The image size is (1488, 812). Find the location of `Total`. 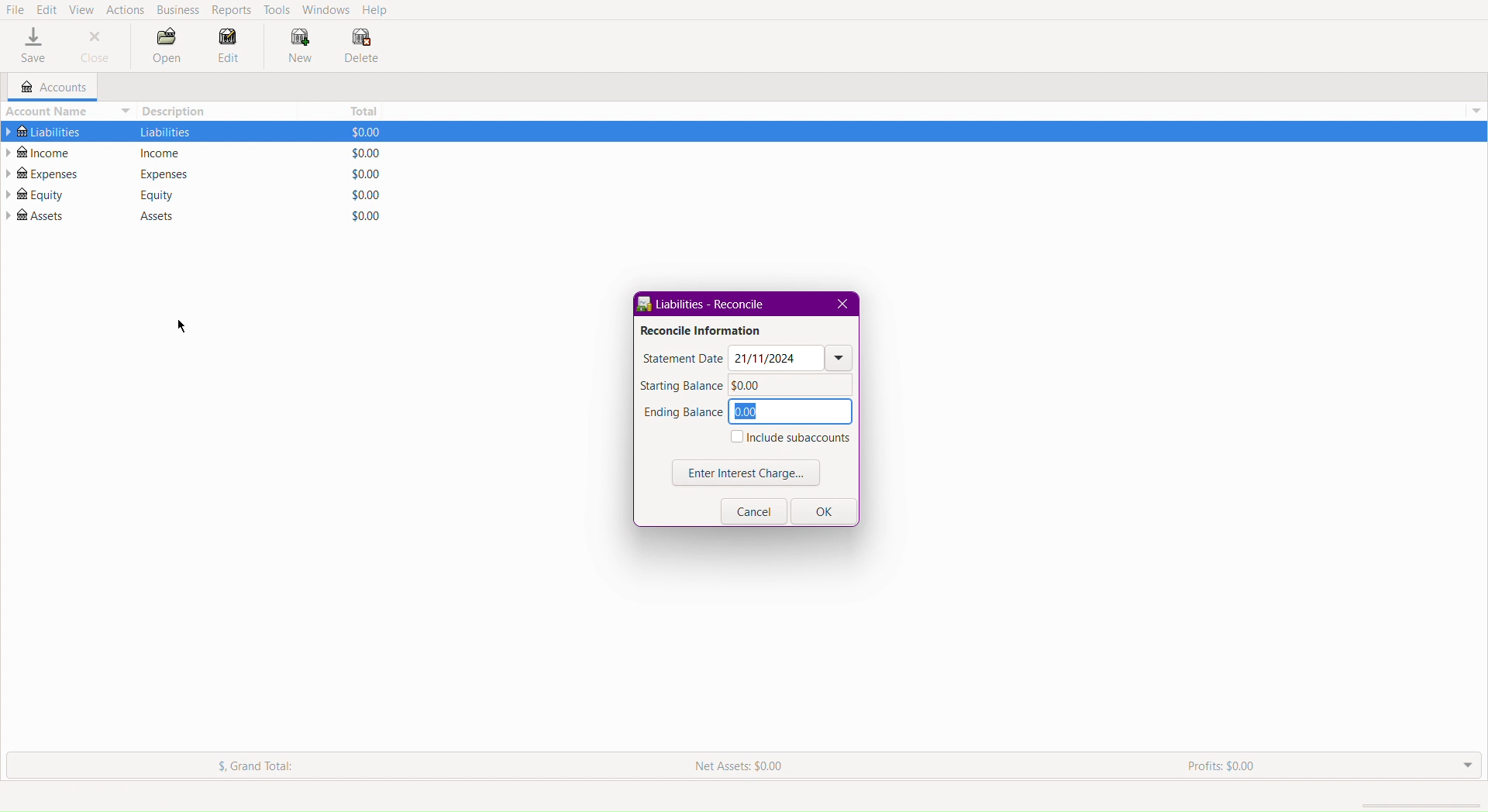

Total is located at coordinates (367, 151).